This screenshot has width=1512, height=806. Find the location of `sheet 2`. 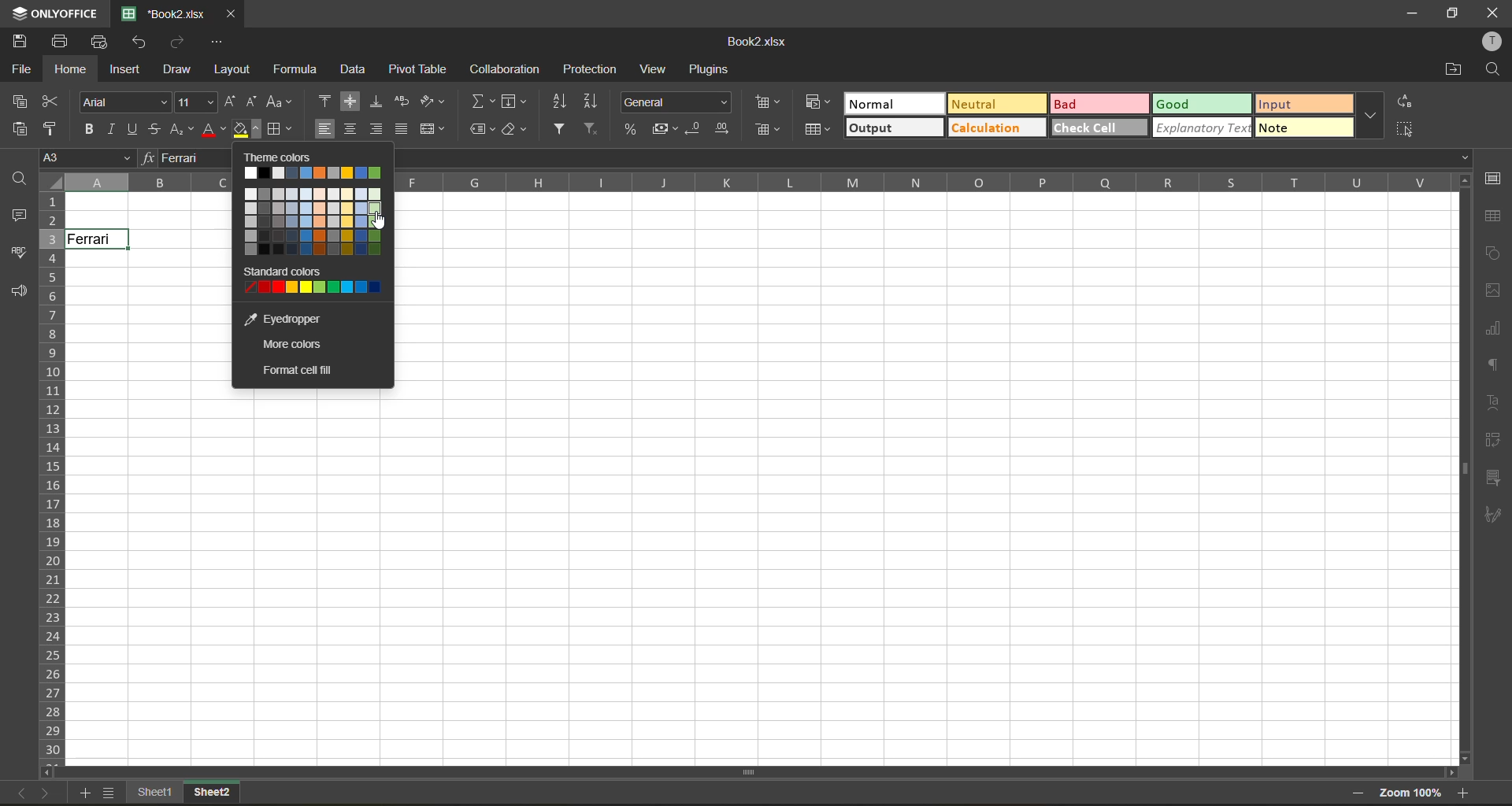

sheet 2 is located at coordinates (218, 794).